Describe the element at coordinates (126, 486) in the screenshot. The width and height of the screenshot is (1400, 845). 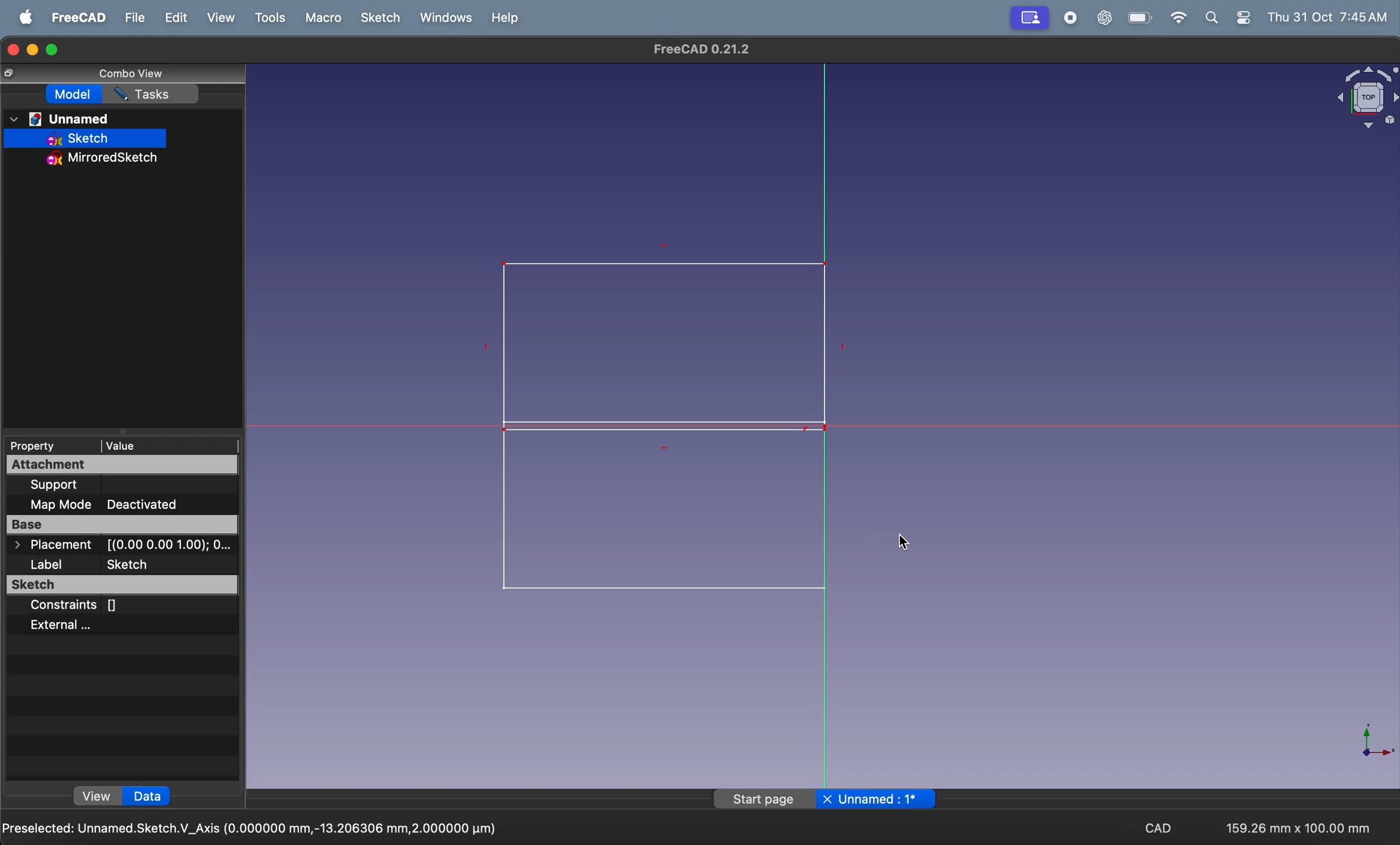
I see `support` at that location.